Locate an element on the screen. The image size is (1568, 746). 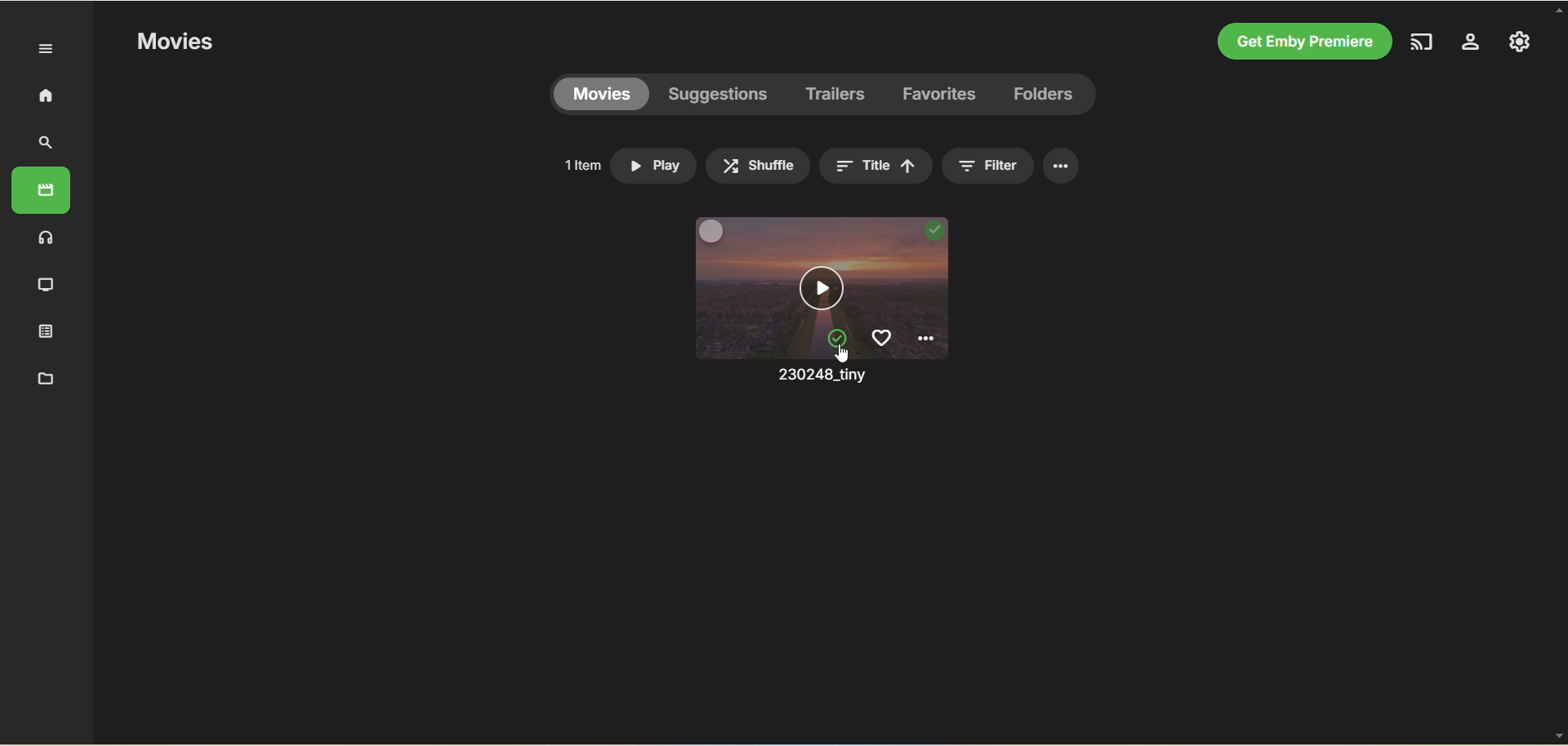
TV shows is located at coordinates (43, 283).